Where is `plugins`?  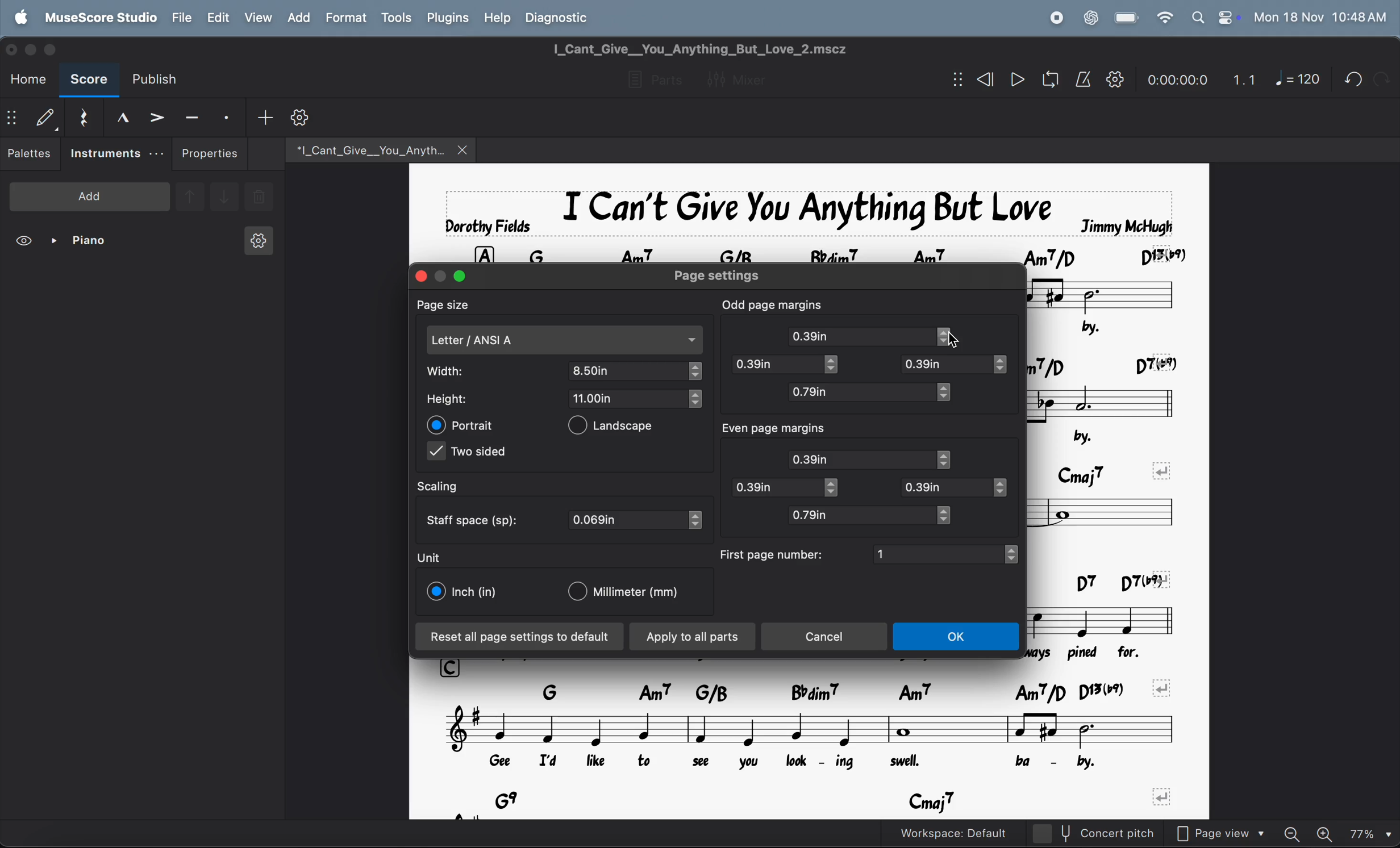
plugins is located at coordinates (445, 18).